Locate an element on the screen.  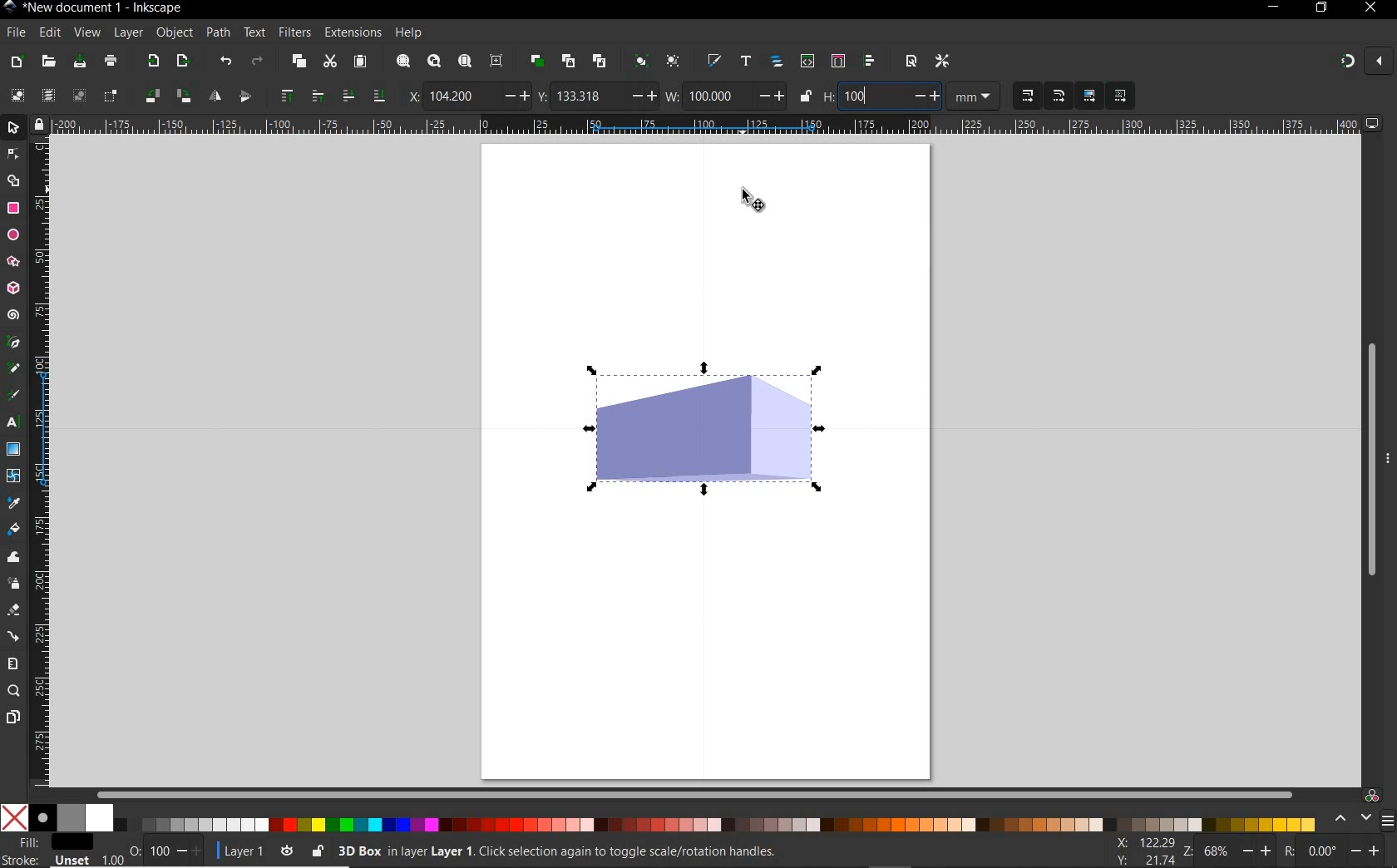
dropper tool is located at coordinates (16, 503).